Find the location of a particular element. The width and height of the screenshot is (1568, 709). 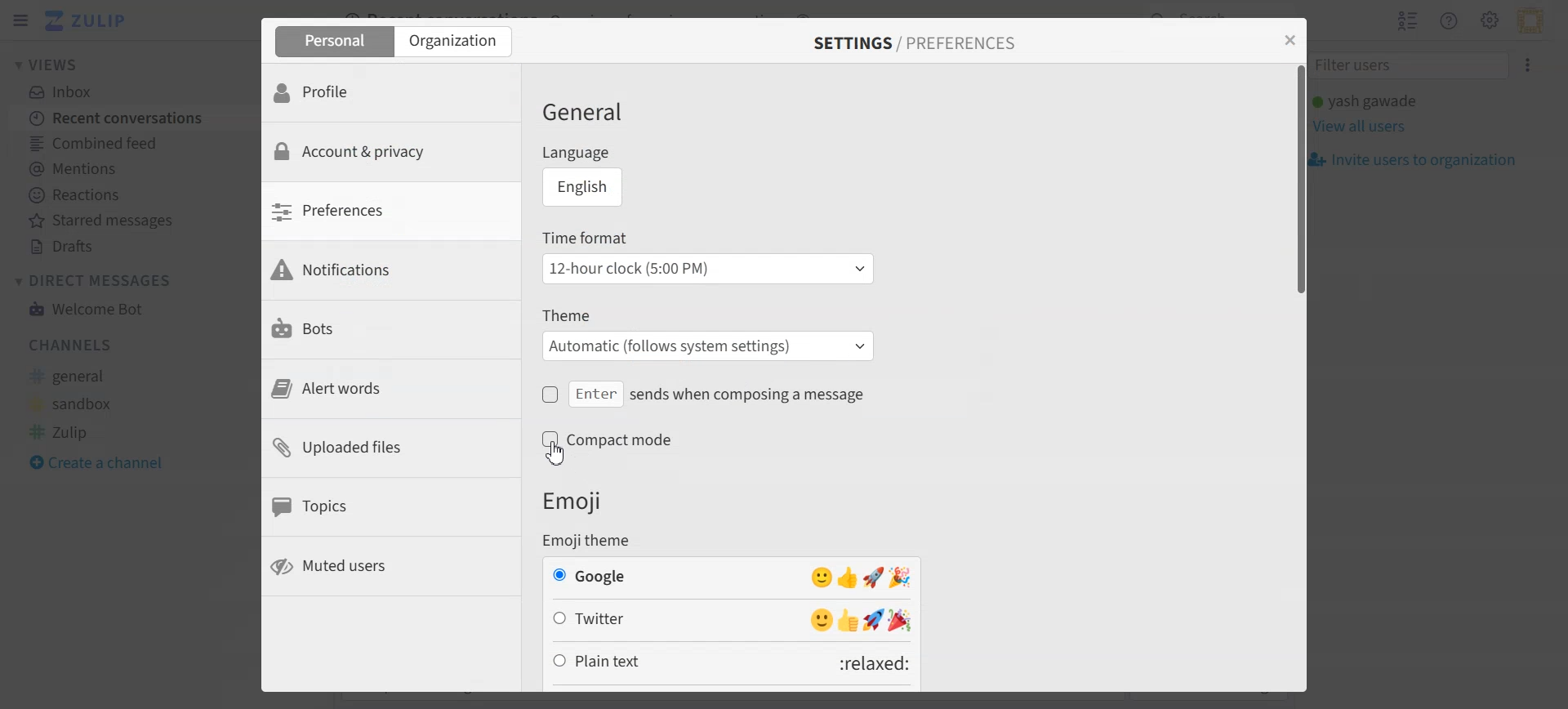

Notifications is located at coordinates (390, 270).